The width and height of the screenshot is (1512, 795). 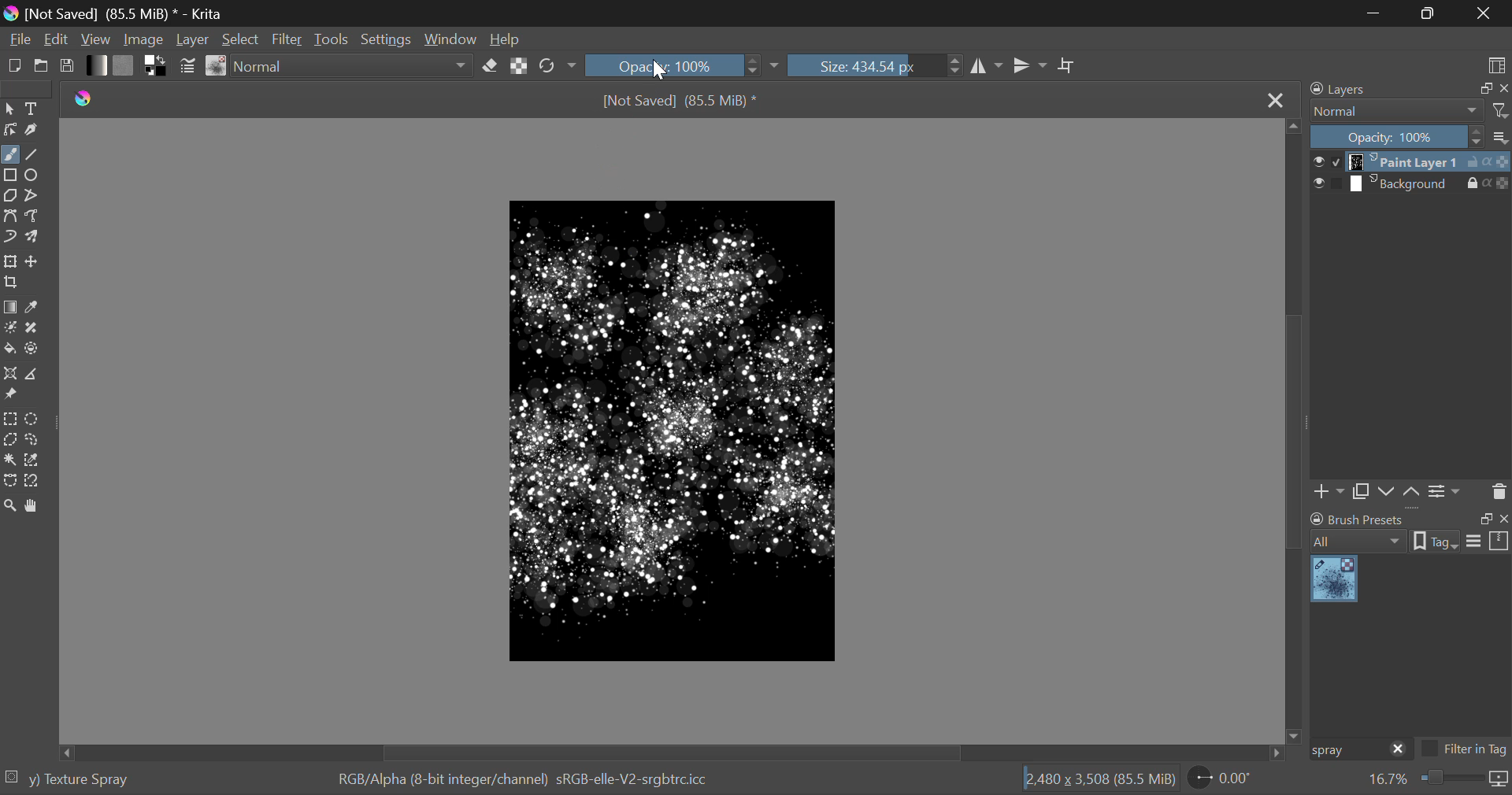 I want to click on Brush Settings, so click(x=188, y=68).